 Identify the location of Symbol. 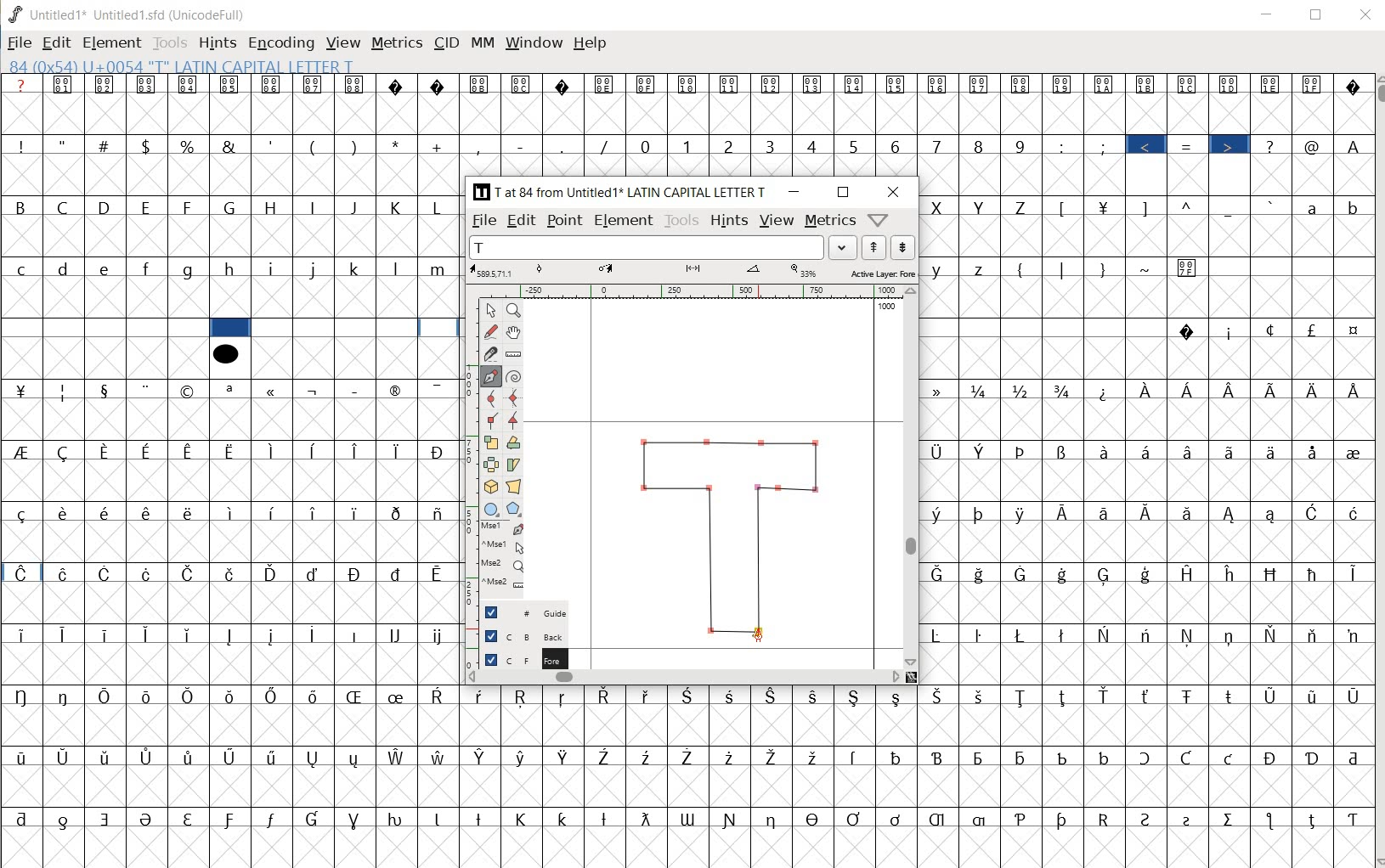
(270, 819).